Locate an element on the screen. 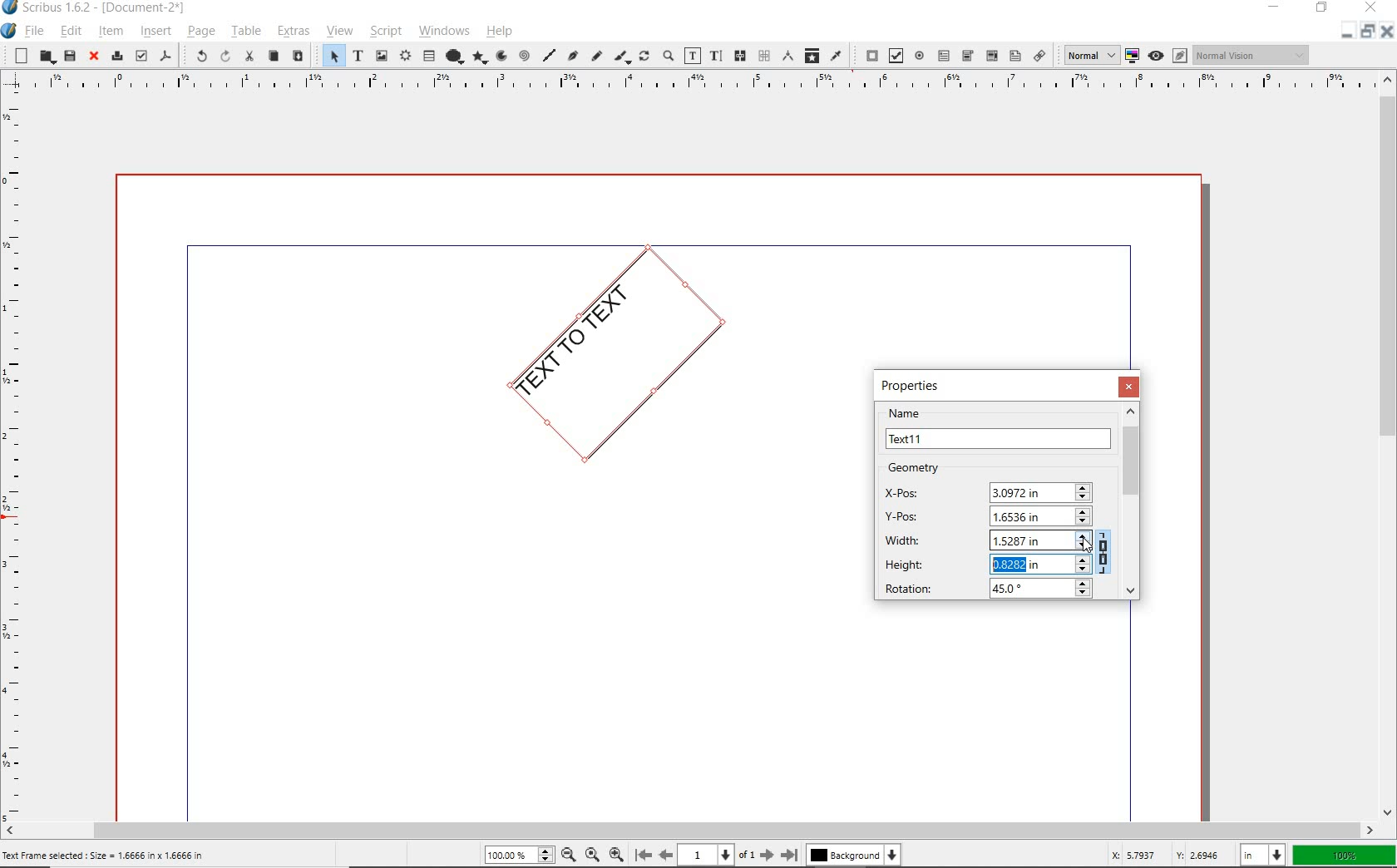 Image resolution: width=1397 pixels, height=868 pixels. eye dropper is located at coordinates (838, 57).